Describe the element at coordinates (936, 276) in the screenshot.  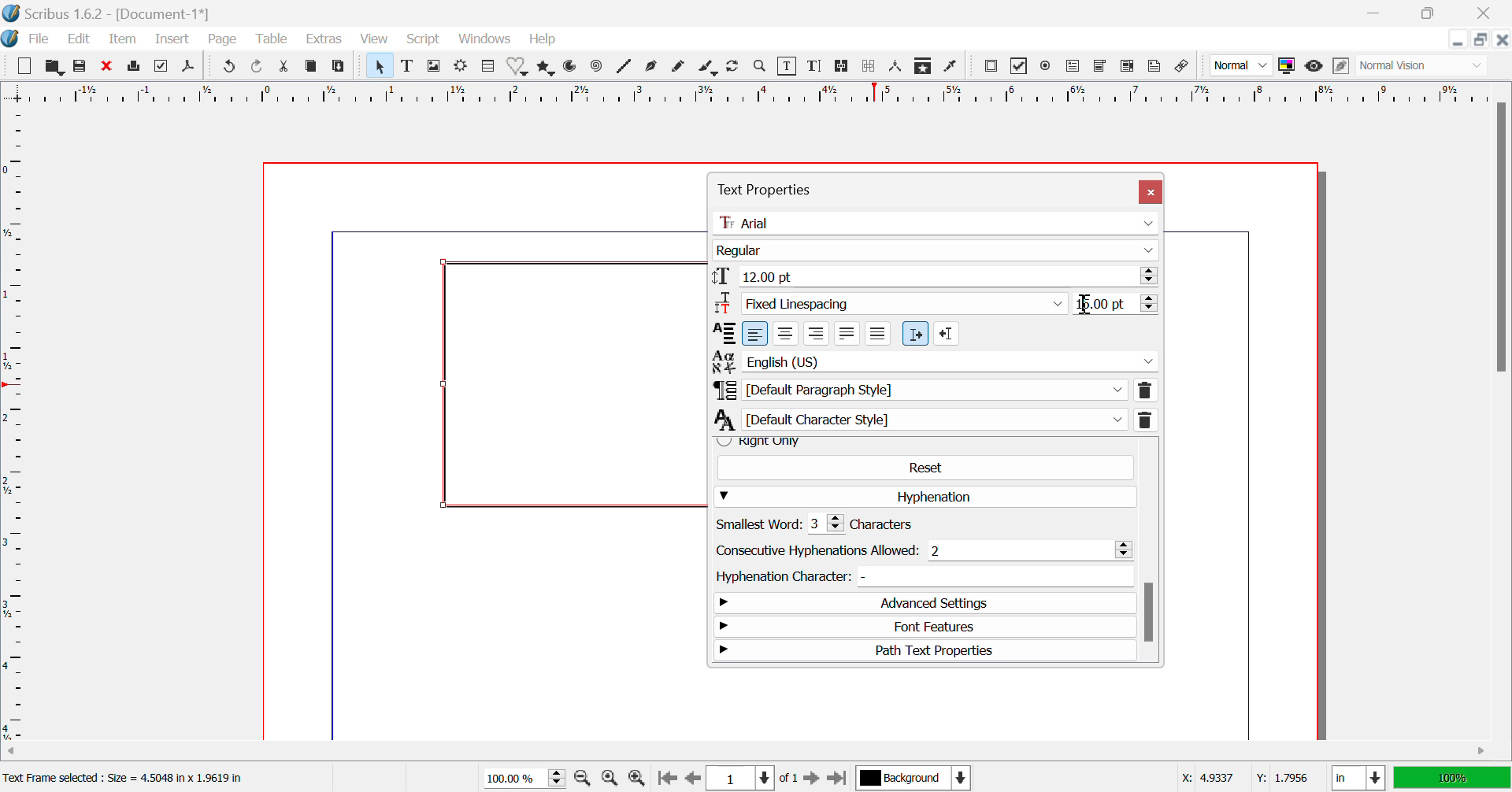
I see `12.00 pt` at that location.